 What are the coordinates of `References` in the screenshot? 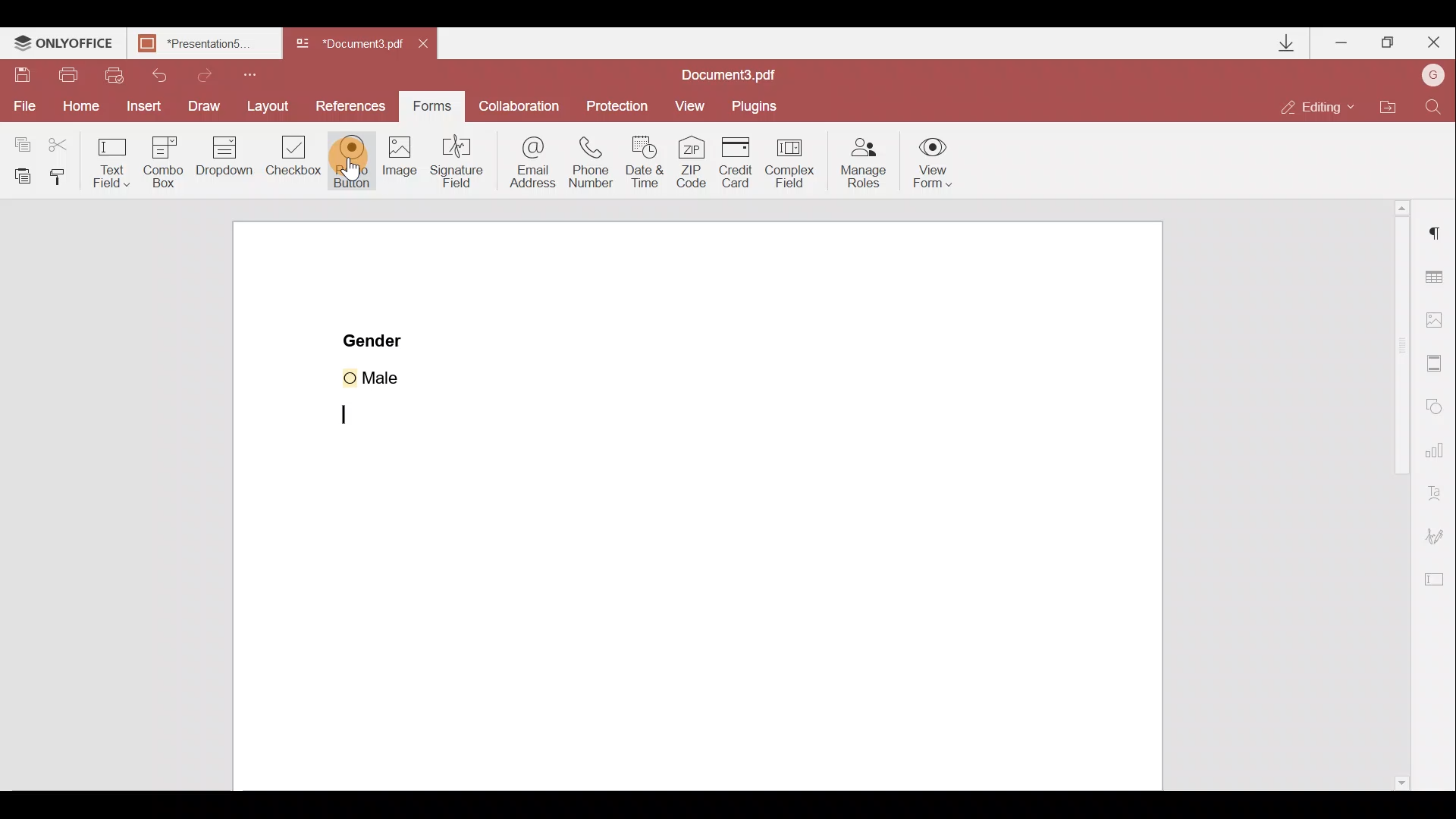 It's located at (352, 105).